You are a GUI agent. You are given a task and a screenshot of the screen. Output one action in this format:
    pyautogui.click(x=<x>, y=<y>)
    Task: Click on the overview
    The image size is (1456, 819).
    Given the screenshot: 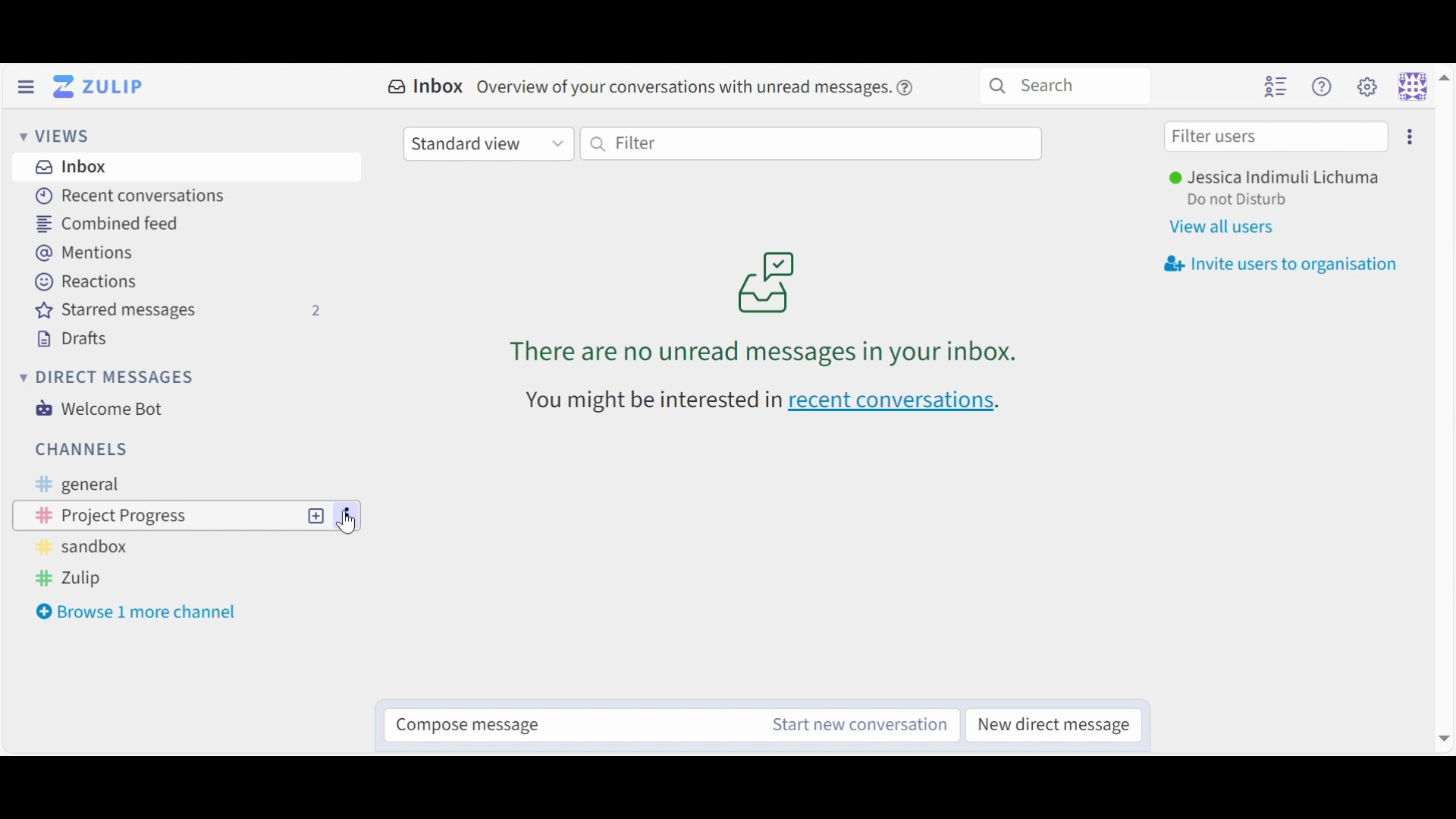 What is the action you would take?
    pyautogui.click(x=714, y=88)
    